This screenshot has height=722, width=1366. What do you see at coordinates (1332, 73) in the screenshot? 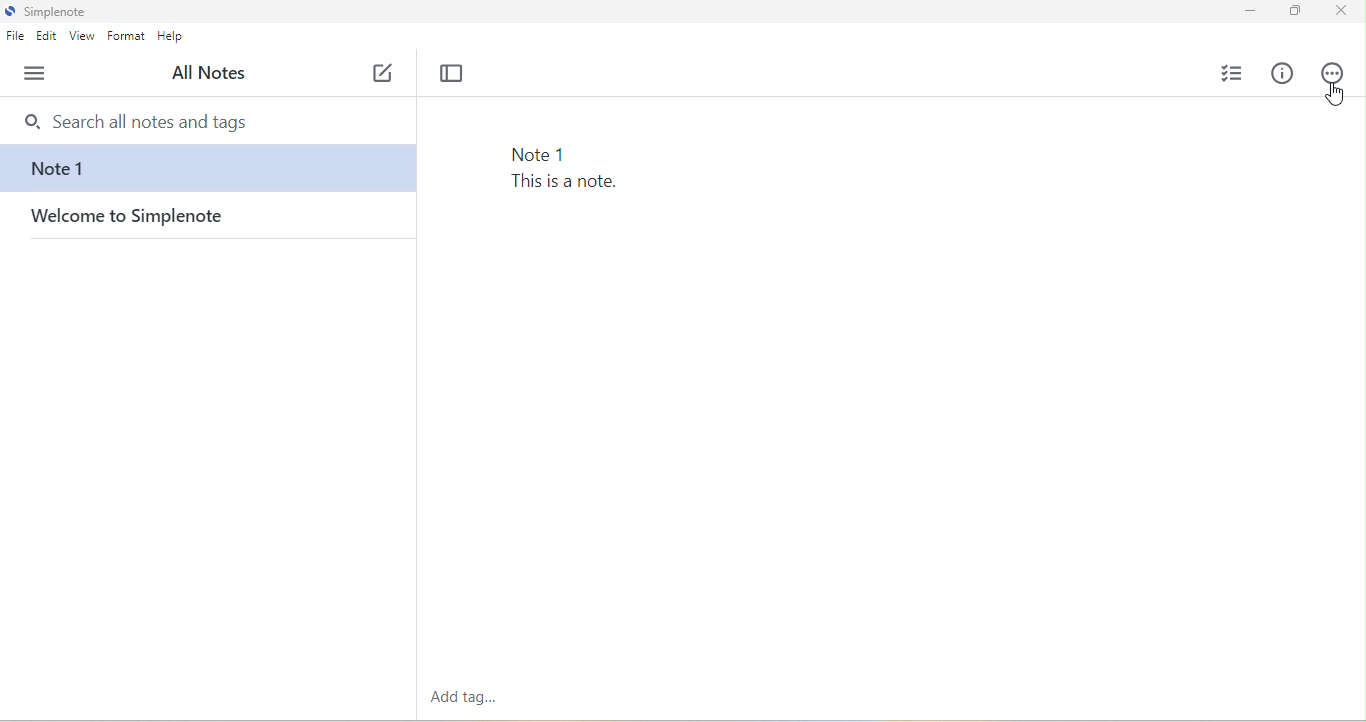
I see `actions` at bounding box center [1332, 73].